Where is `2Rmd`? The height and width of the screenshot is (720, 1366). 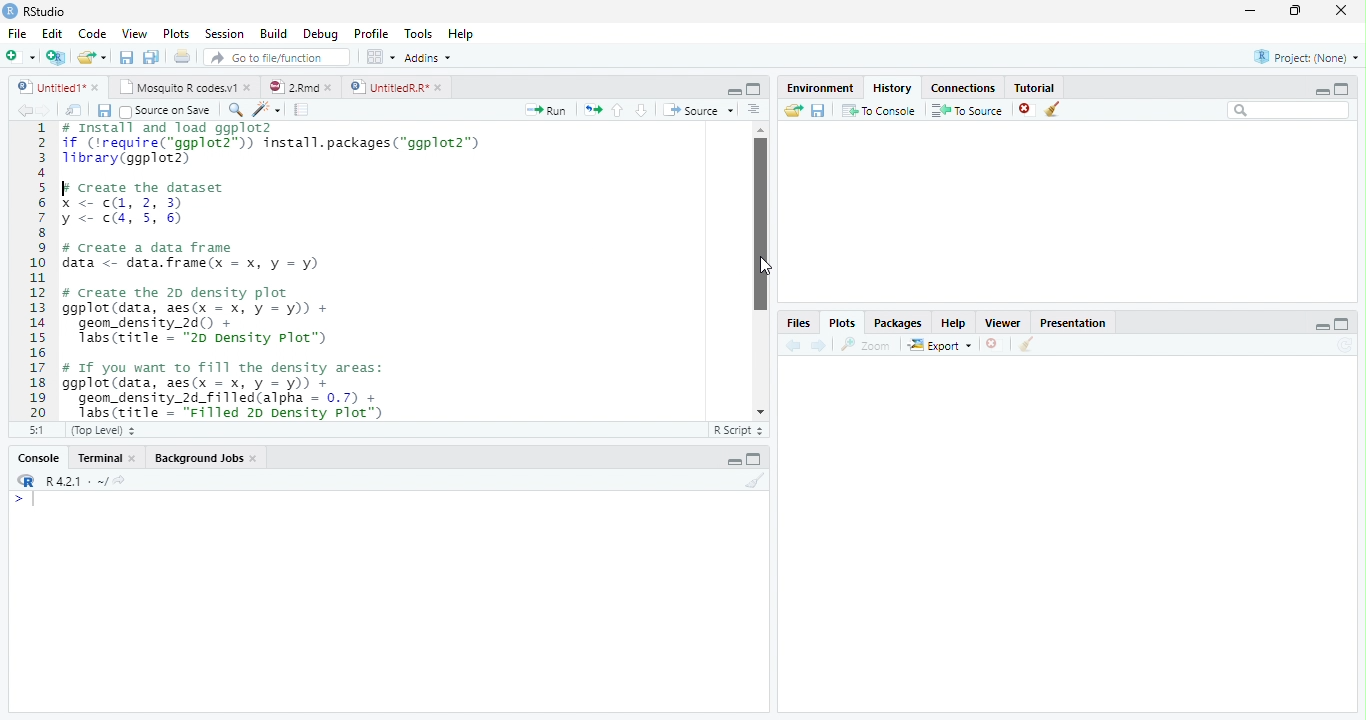
2Rmd is located at coordinates (292, 86).